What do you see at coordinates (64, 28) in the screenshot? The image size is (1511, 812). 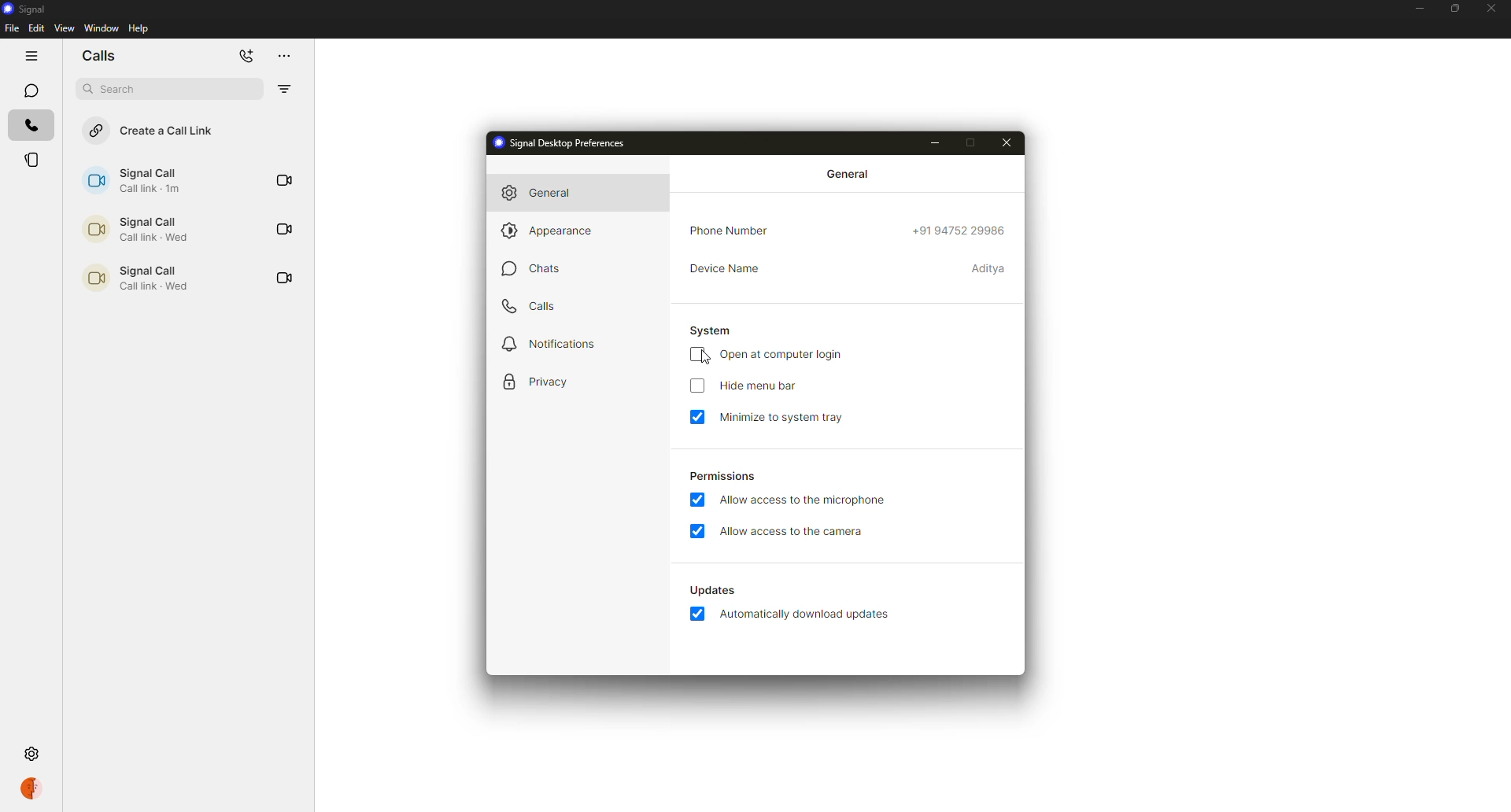 I see `view` at bounding box center [64, 28].